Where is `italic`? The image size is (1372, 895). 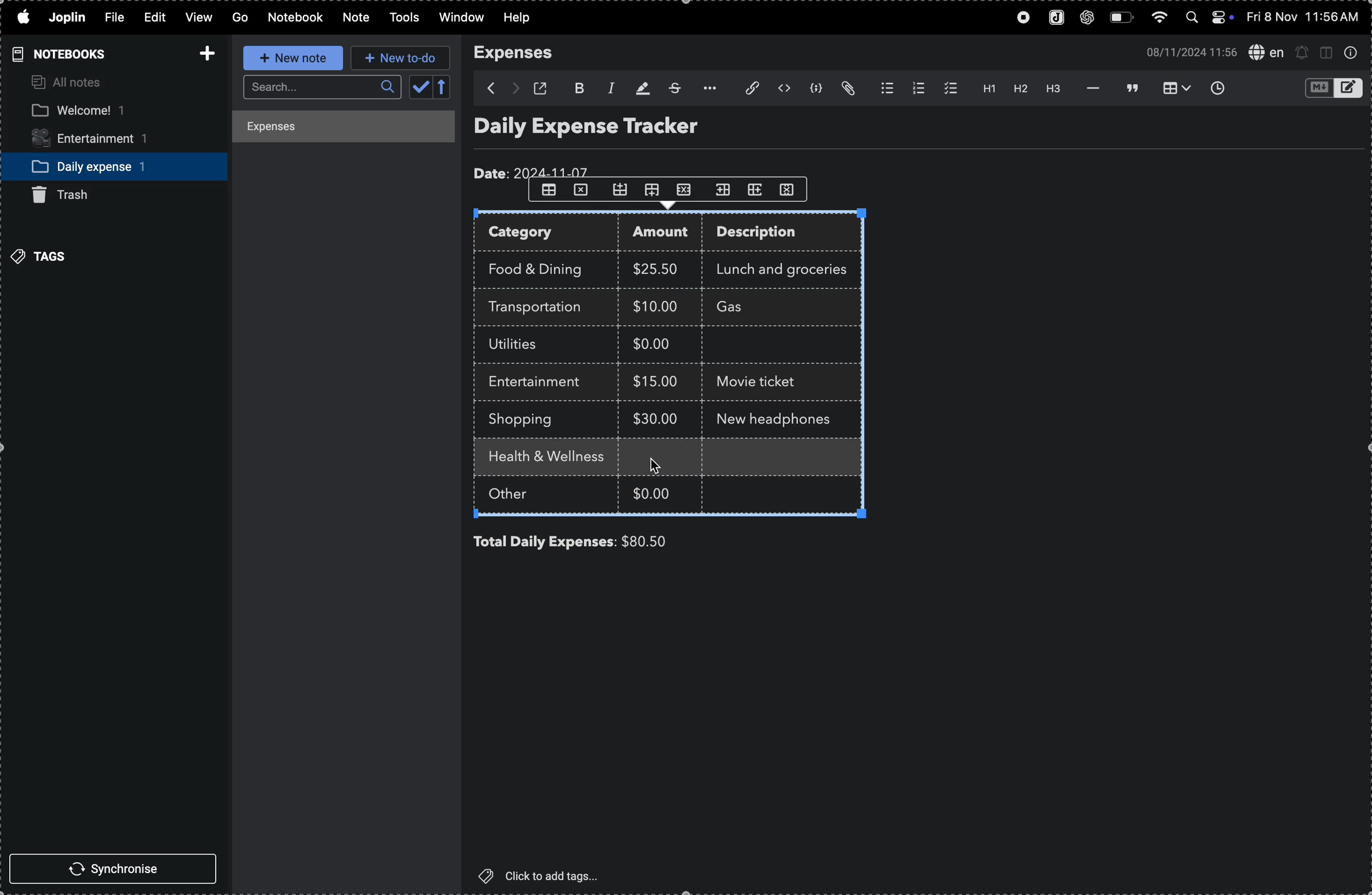
italic is located at coordinates (608, 87).